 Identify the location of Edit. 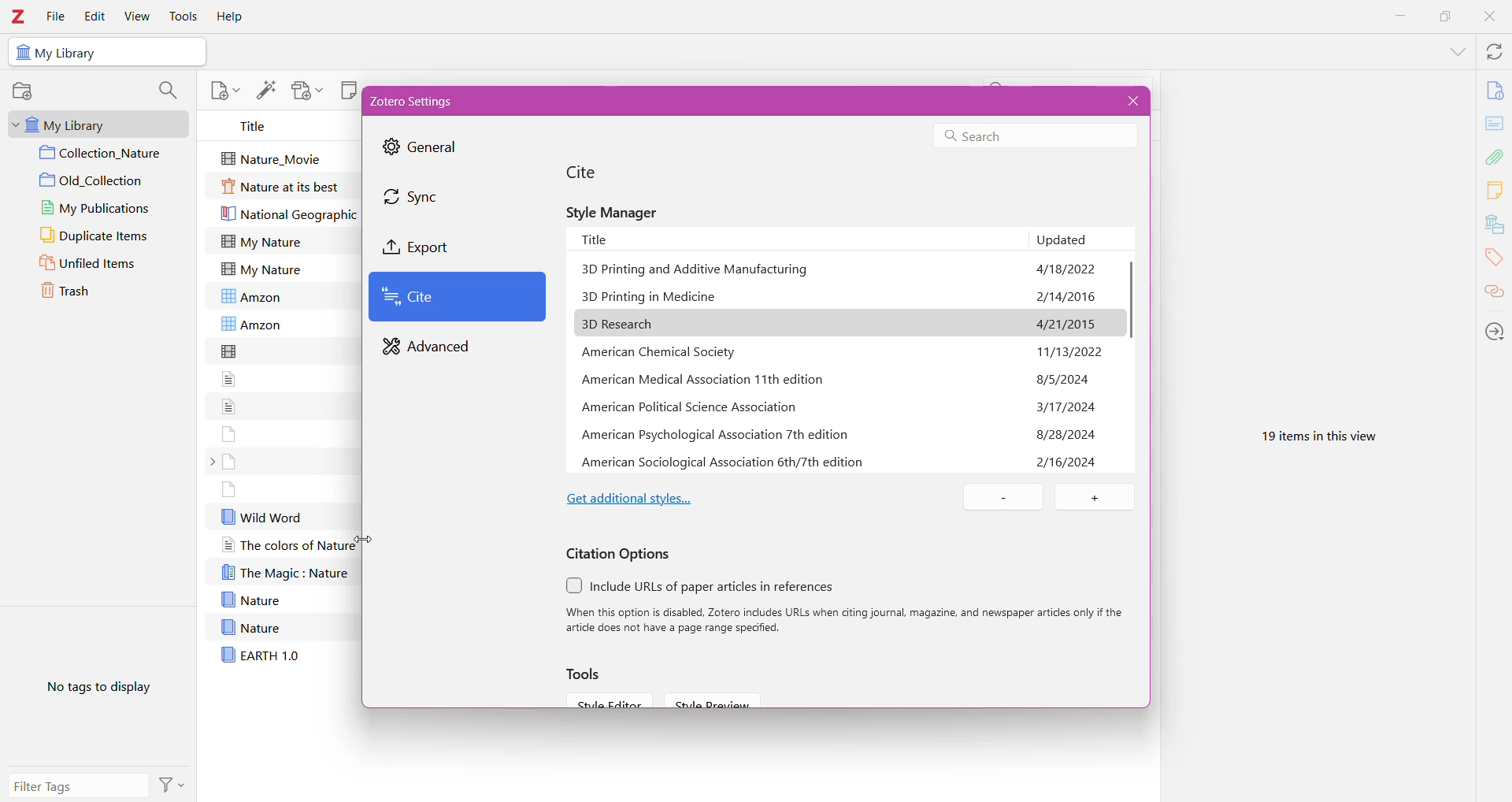
(94, 17).